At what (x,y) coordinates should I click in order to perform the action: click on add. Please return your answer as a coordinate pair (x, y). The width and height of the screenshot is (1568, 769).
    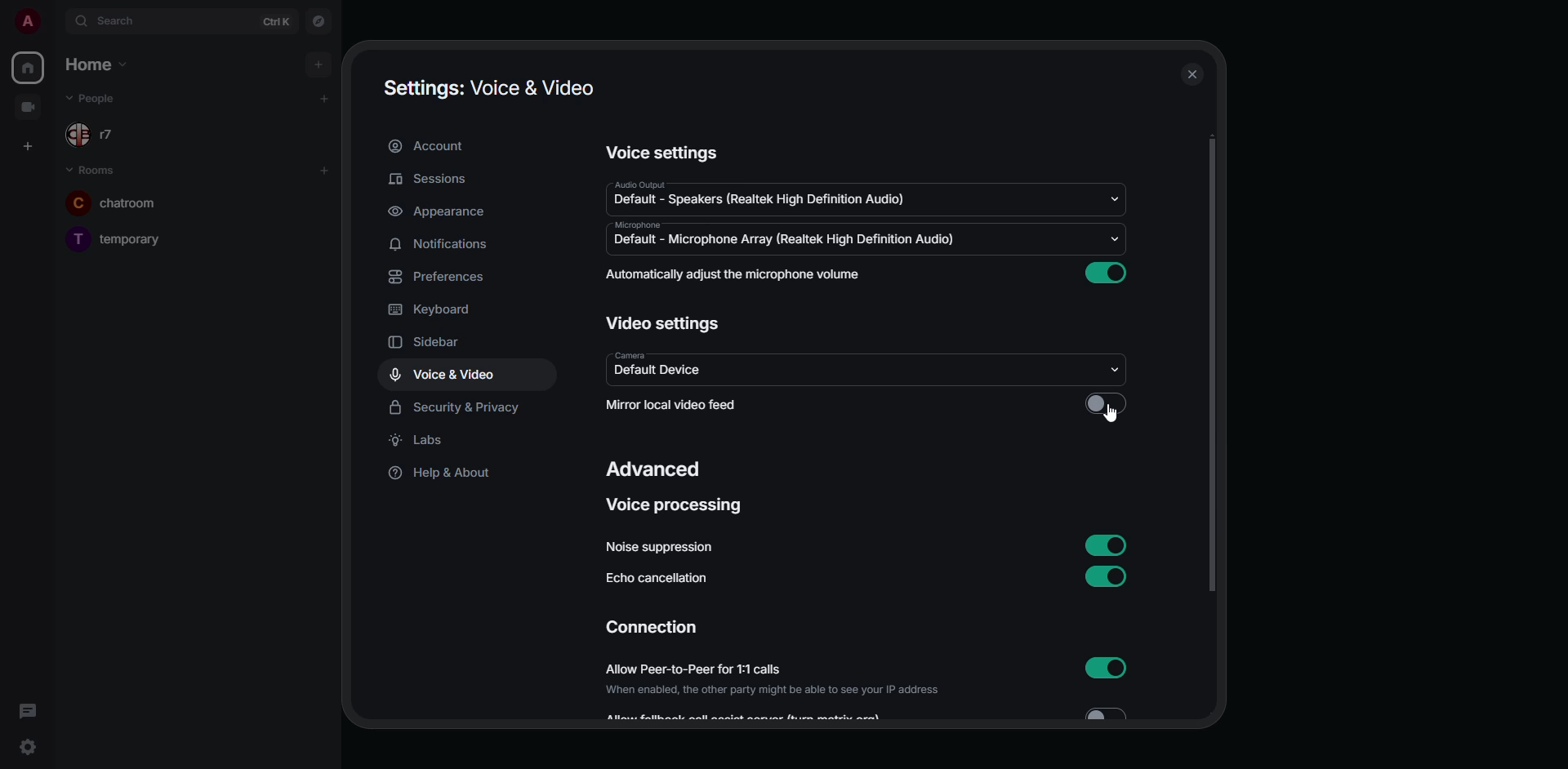
    Looking at the image, I should click on (314, 63).